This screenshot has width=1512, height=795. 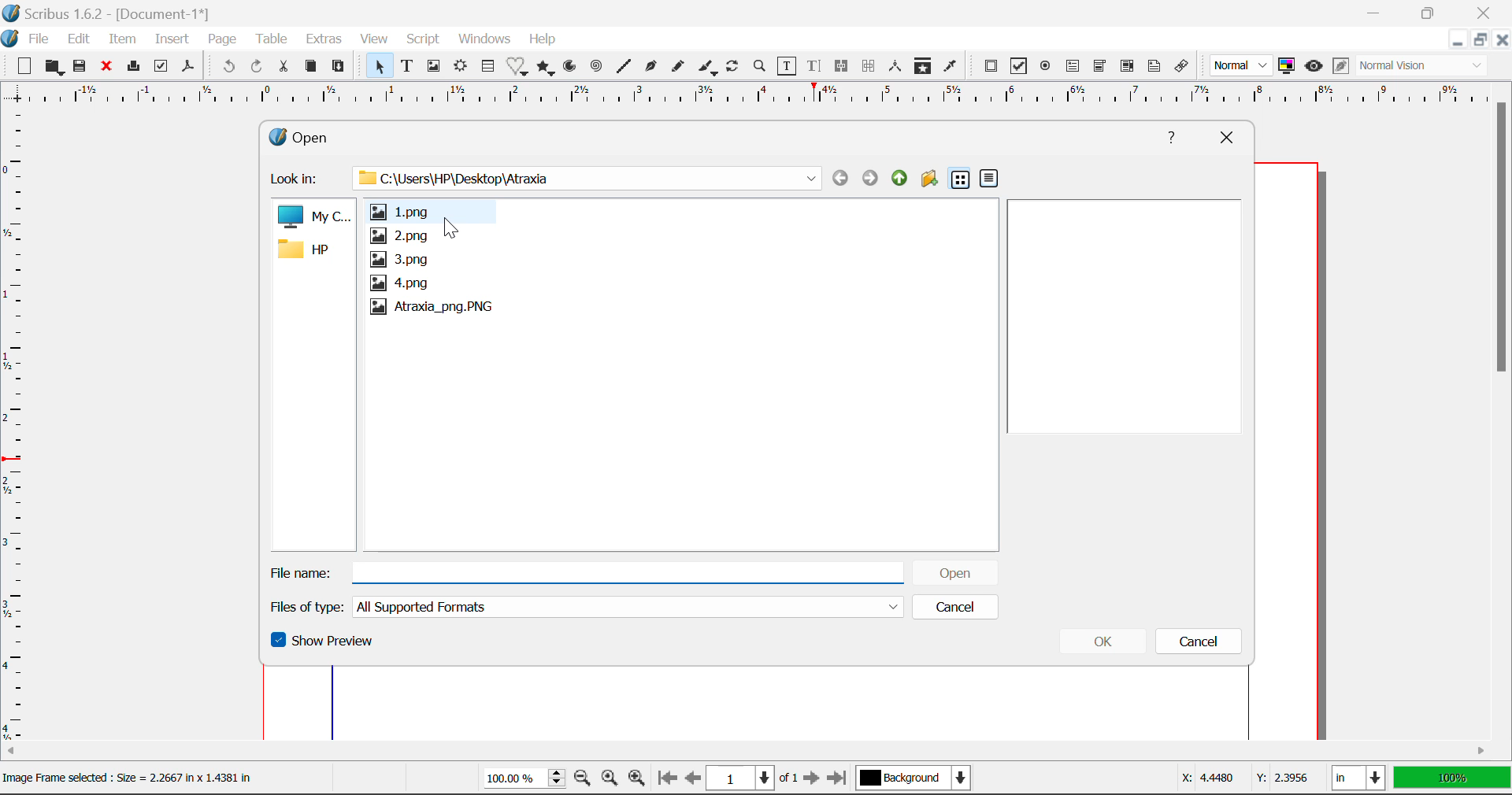 What do you see at coordinates (309, 606) in the screenshot?
I see `Files of type` at bounding box center [309, 606].